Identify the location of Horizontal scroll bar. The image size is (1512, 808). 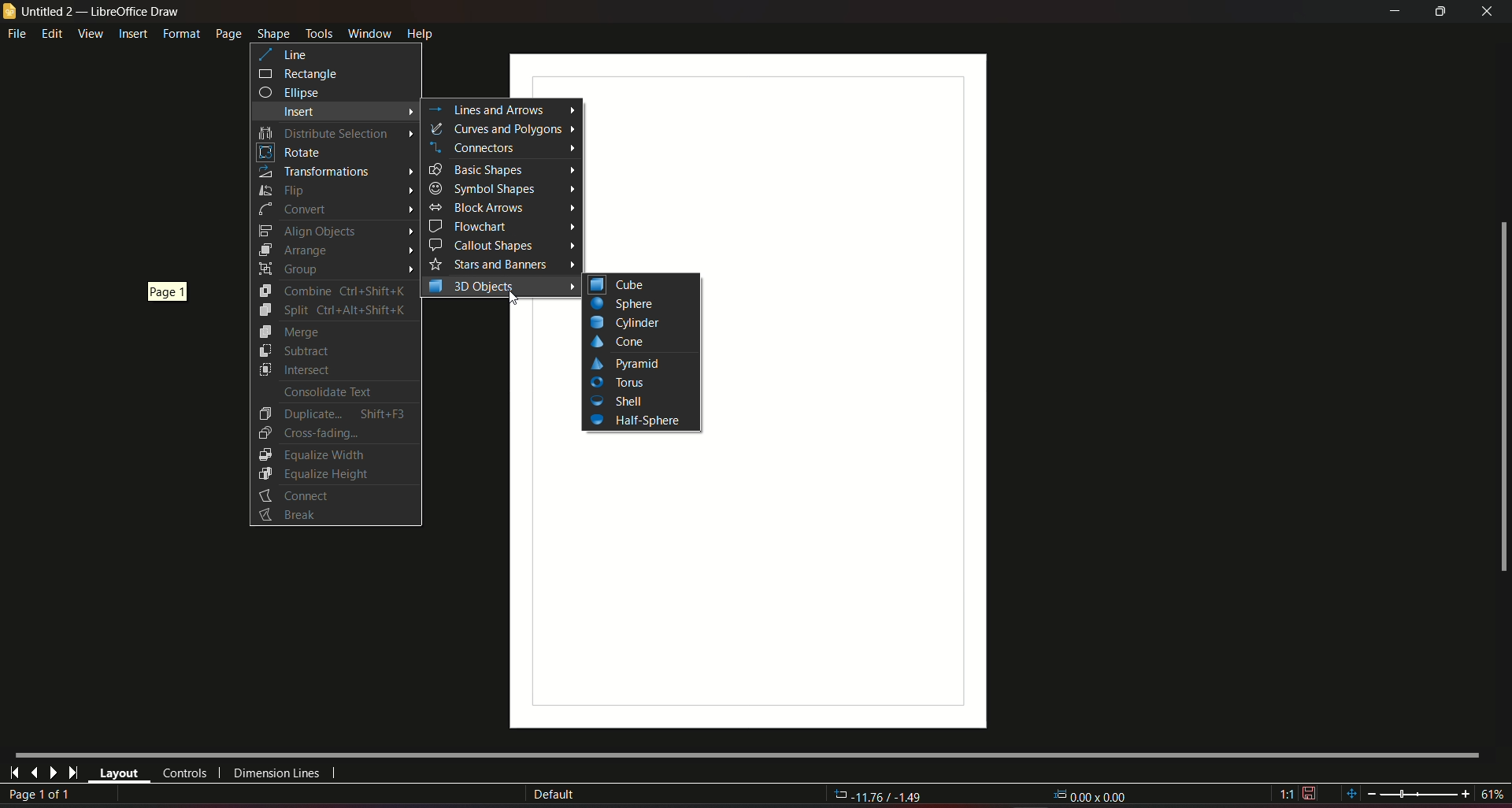
(746, 754).